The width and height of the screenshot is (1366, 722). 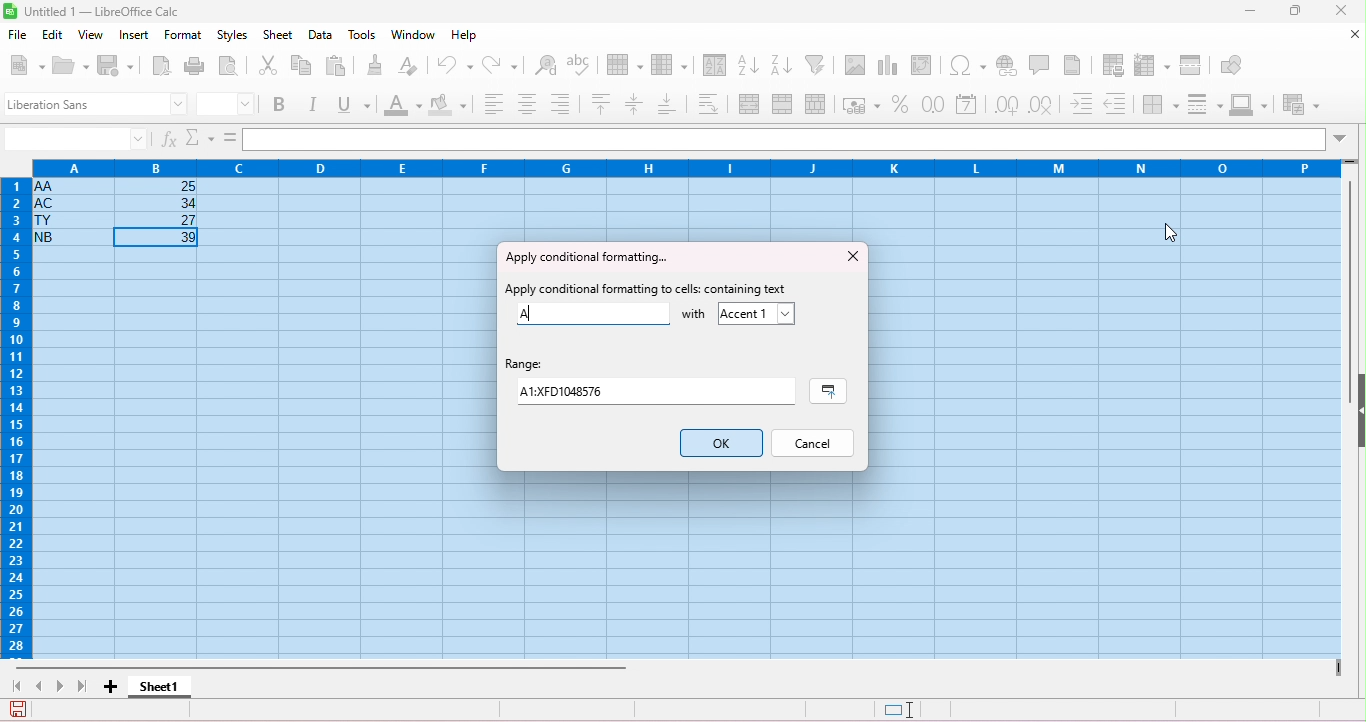 I want to click on font size, so click(x=226, y=104).